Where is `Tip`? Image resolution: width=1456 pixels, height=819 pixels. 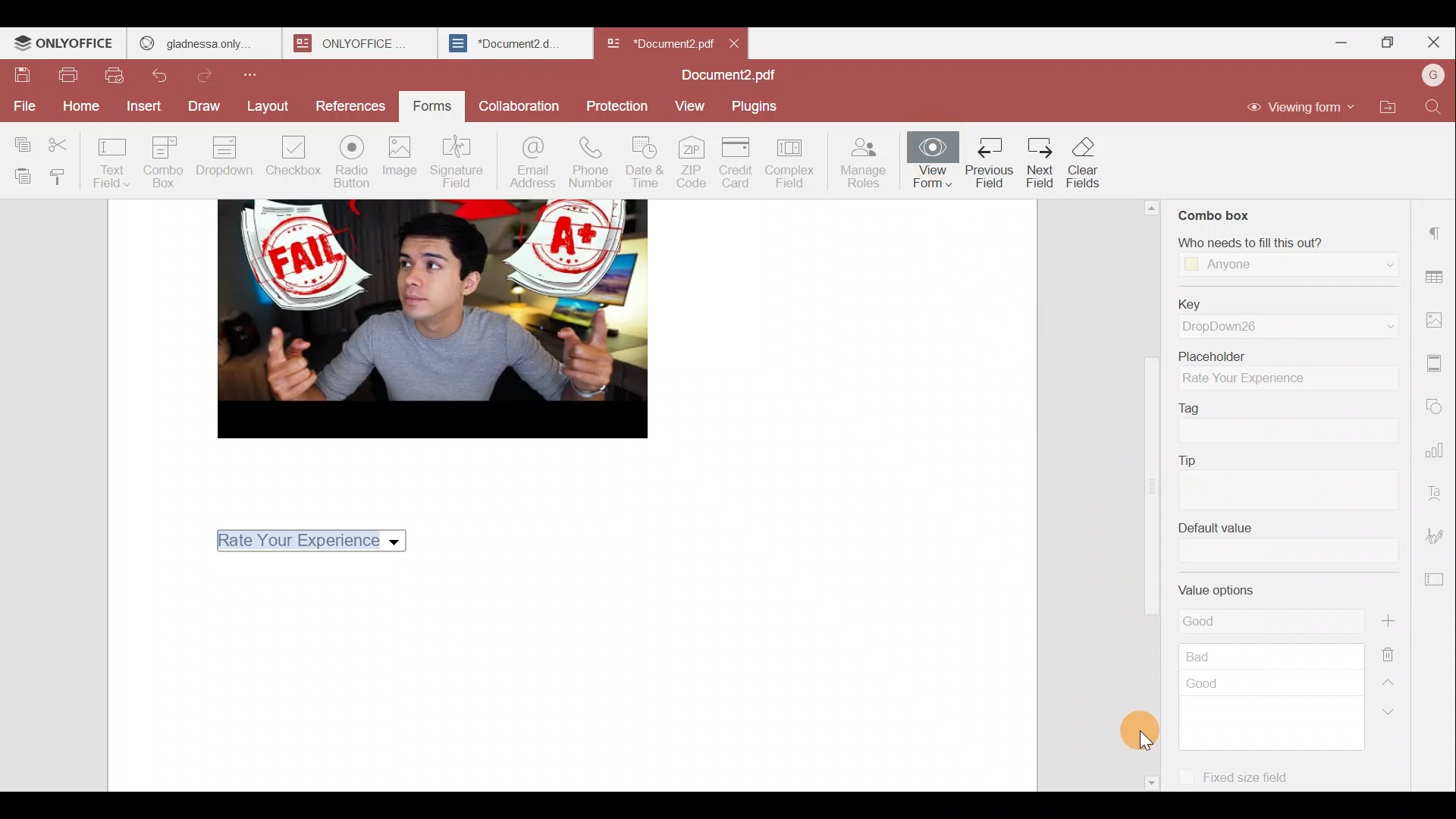
Tip is located at coordinates (1289, 479).